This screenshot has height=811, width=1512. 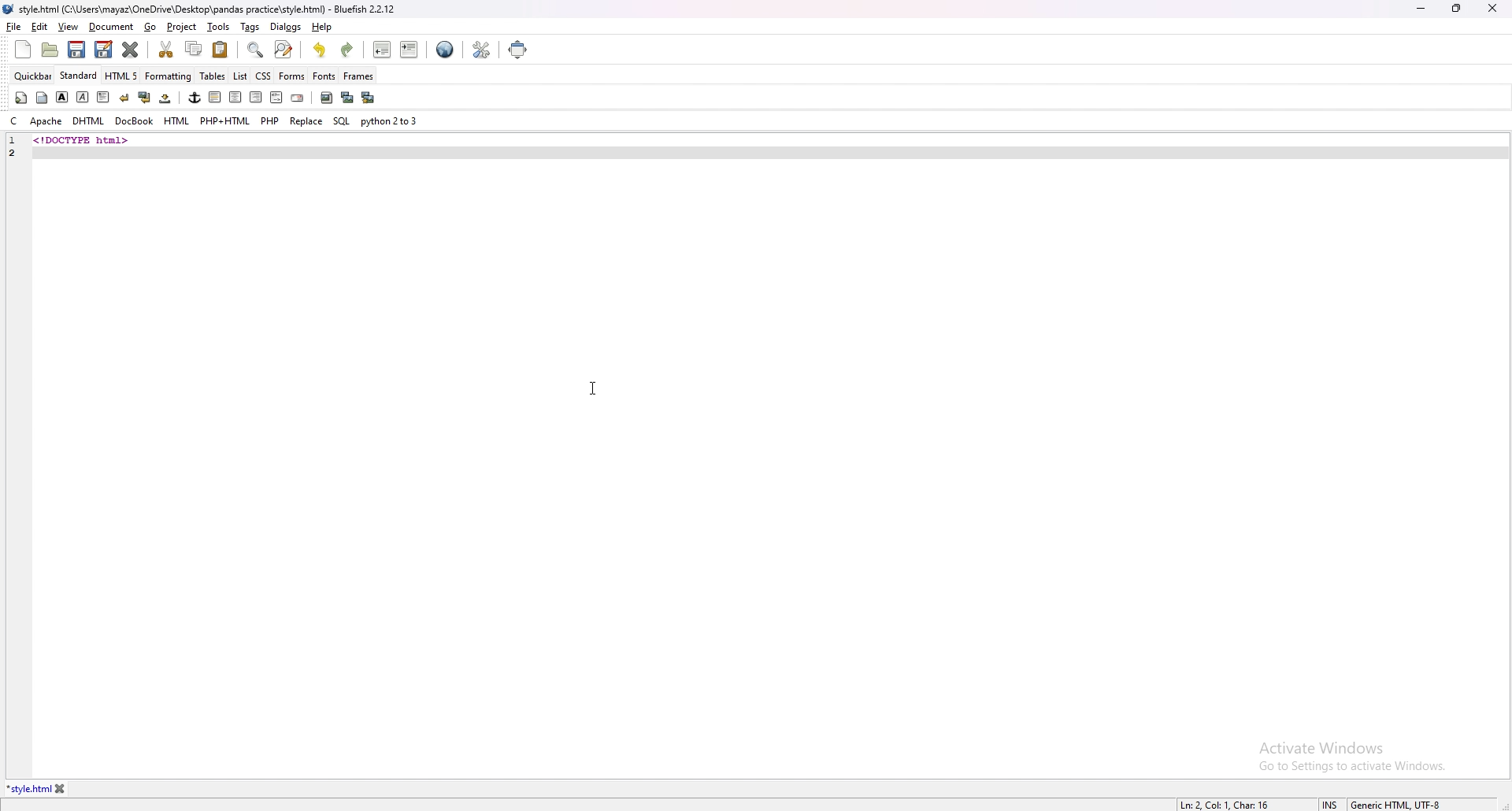 I want to click on html, so click(x=177, y=121).